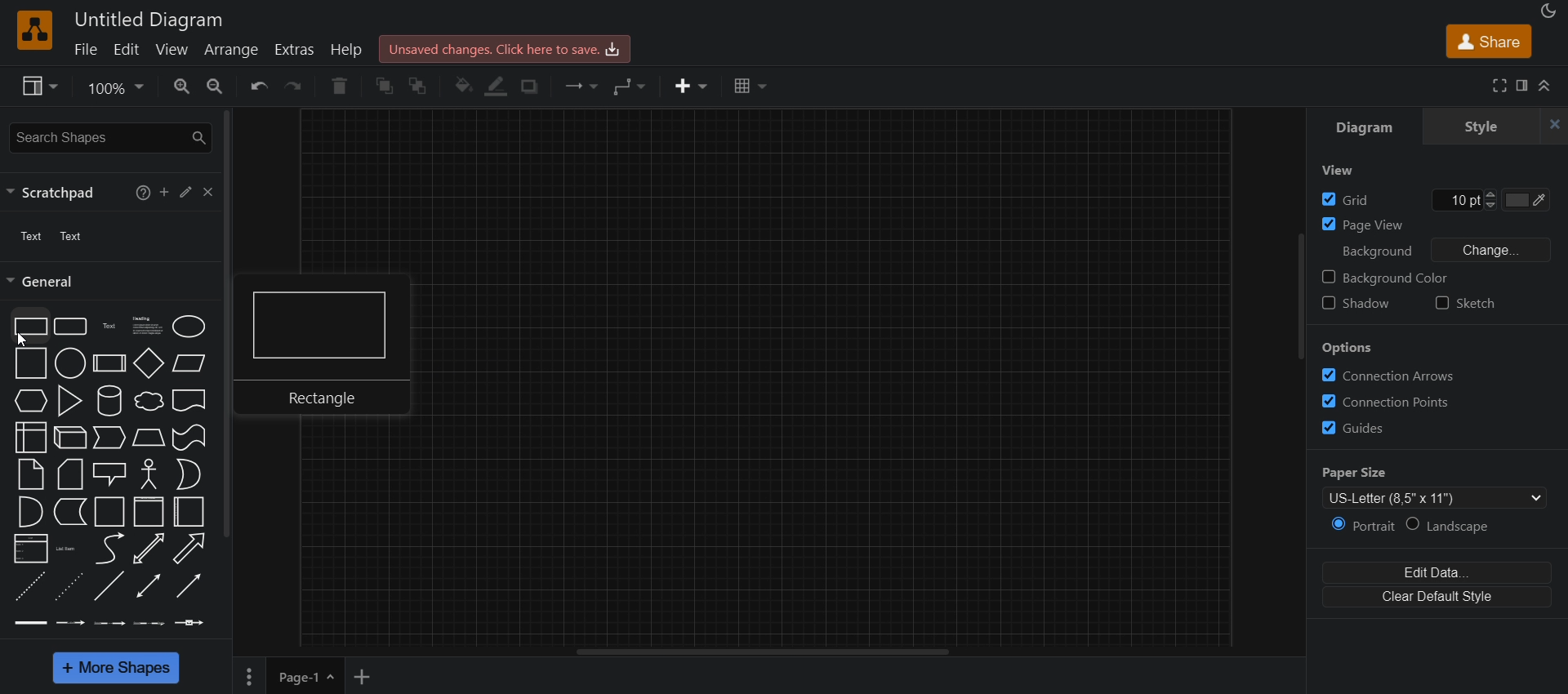  Describe the element at coordinates (382, 85) in the screenshot. I see `to front` at that location.